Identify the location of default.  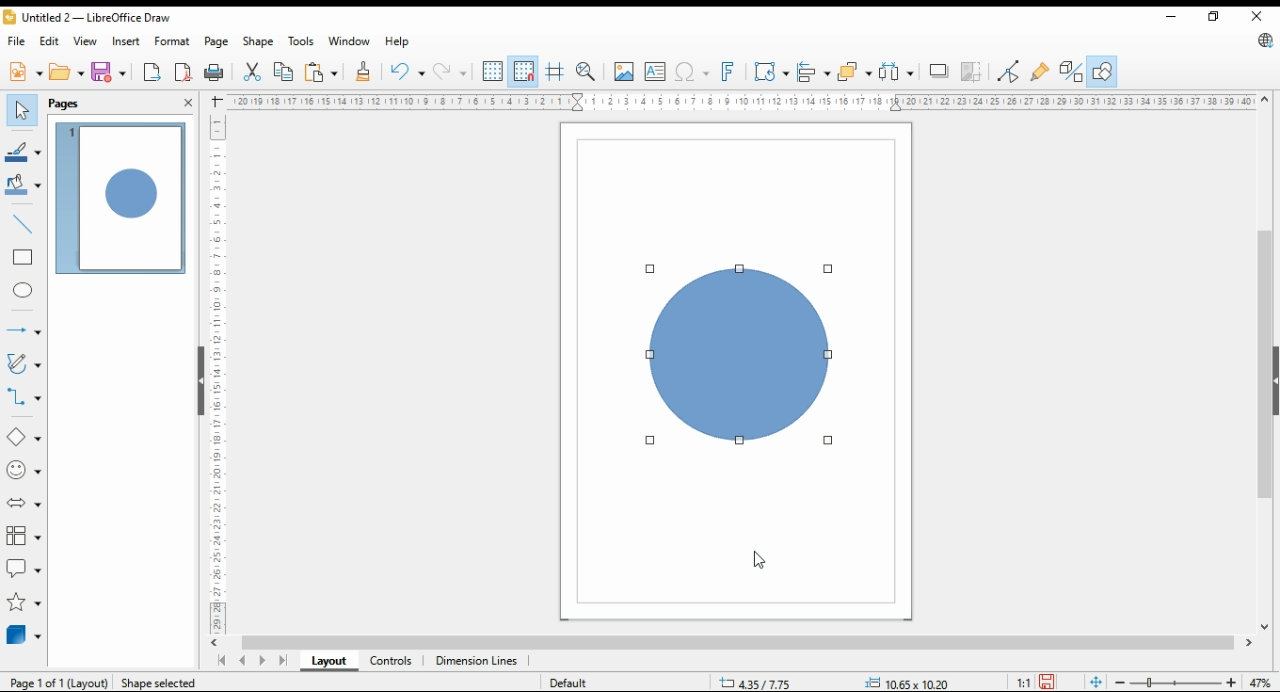
(572, 684).